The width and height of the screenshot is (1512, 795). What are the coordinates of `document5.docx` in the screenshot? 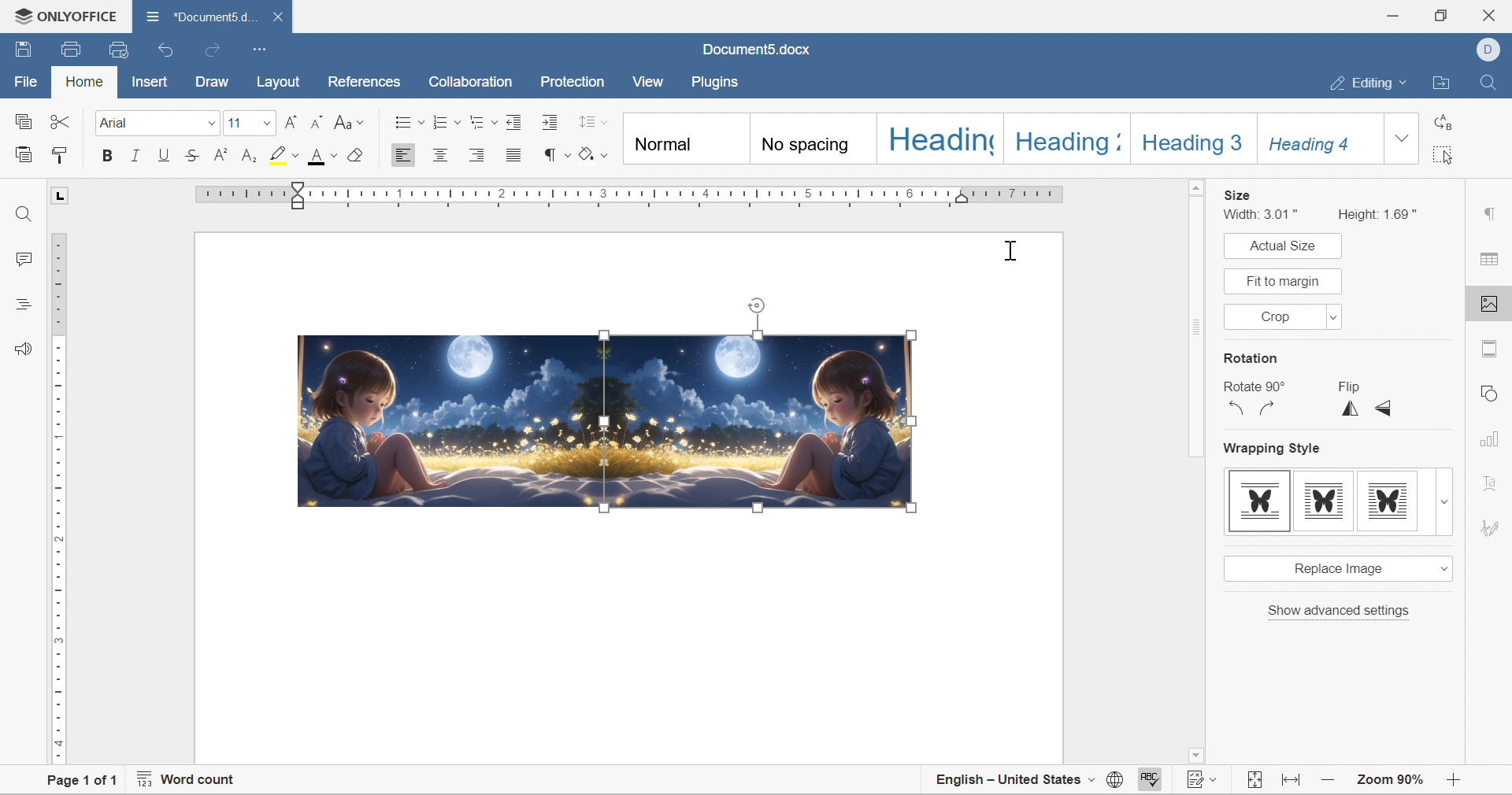 It's located at (198, 17).